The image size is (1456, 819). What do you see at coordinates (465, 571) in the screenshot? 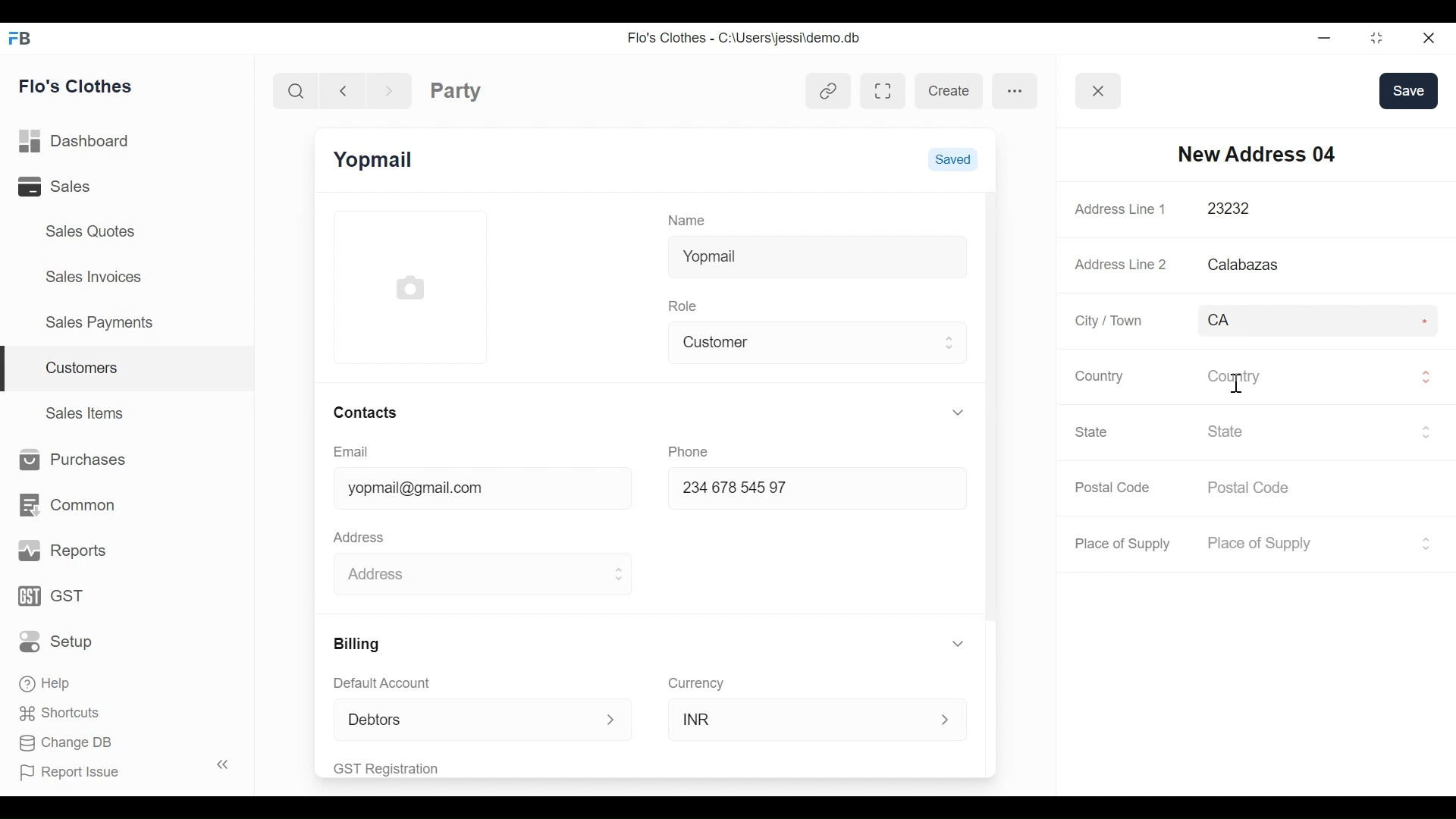
I see `Address` at bounding box center [465, 571].